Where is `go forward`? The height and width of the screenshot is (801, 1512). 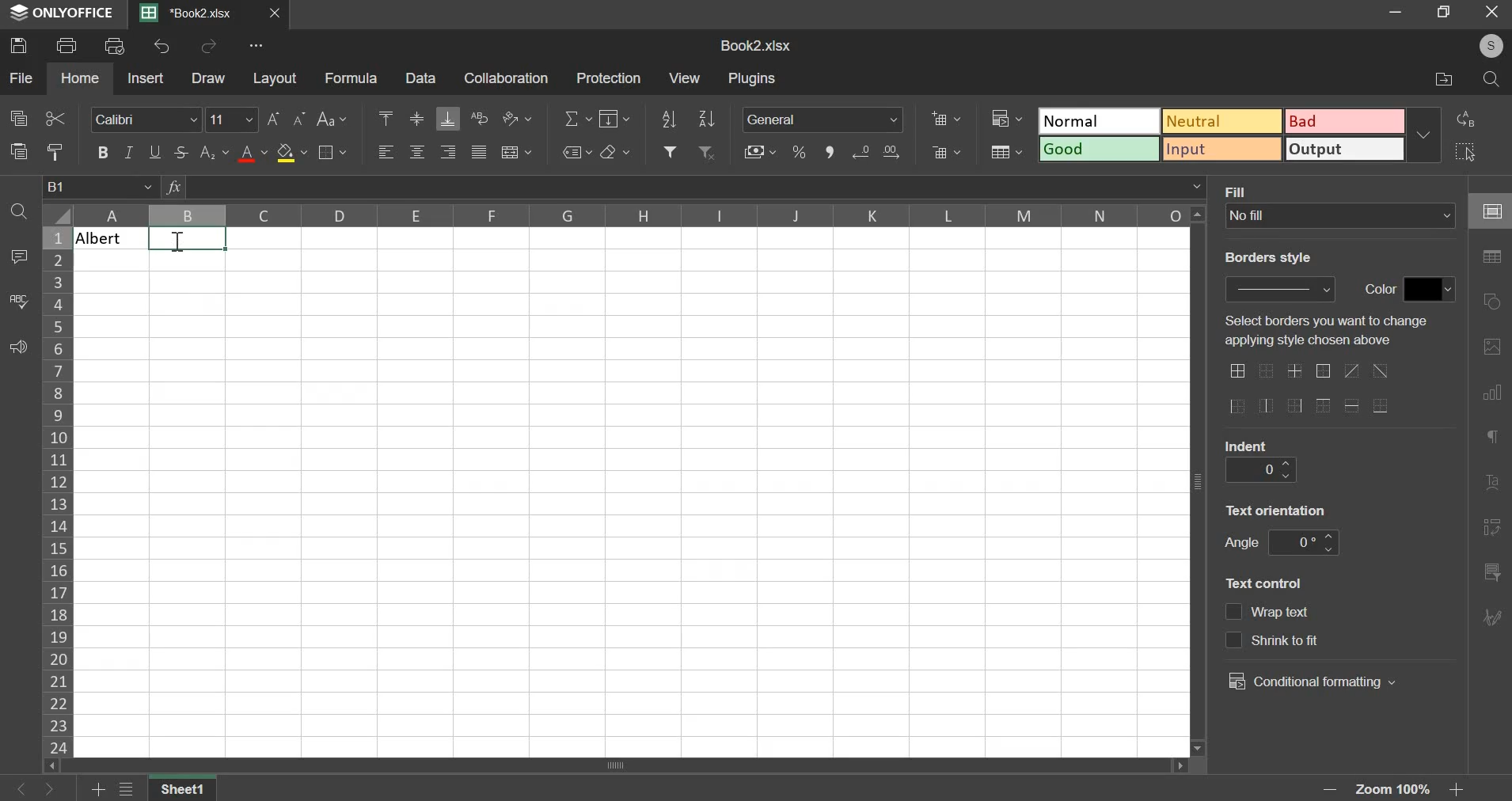
go forward is located at coordinates (57, 789).